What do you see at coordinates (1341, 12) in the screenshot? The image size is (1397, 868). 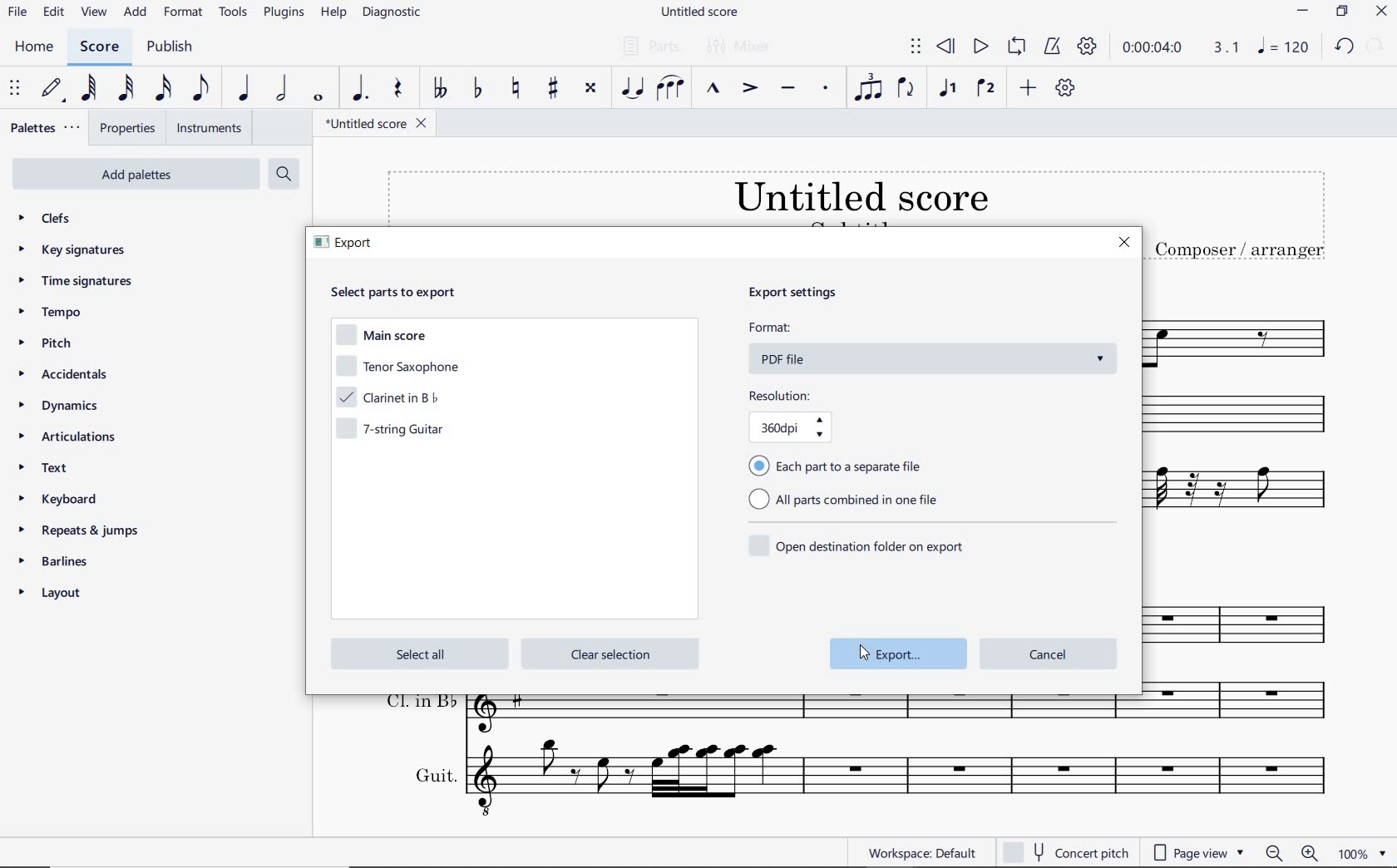 I see `RESTORE DOWN` at bounding box center [1341, 12].